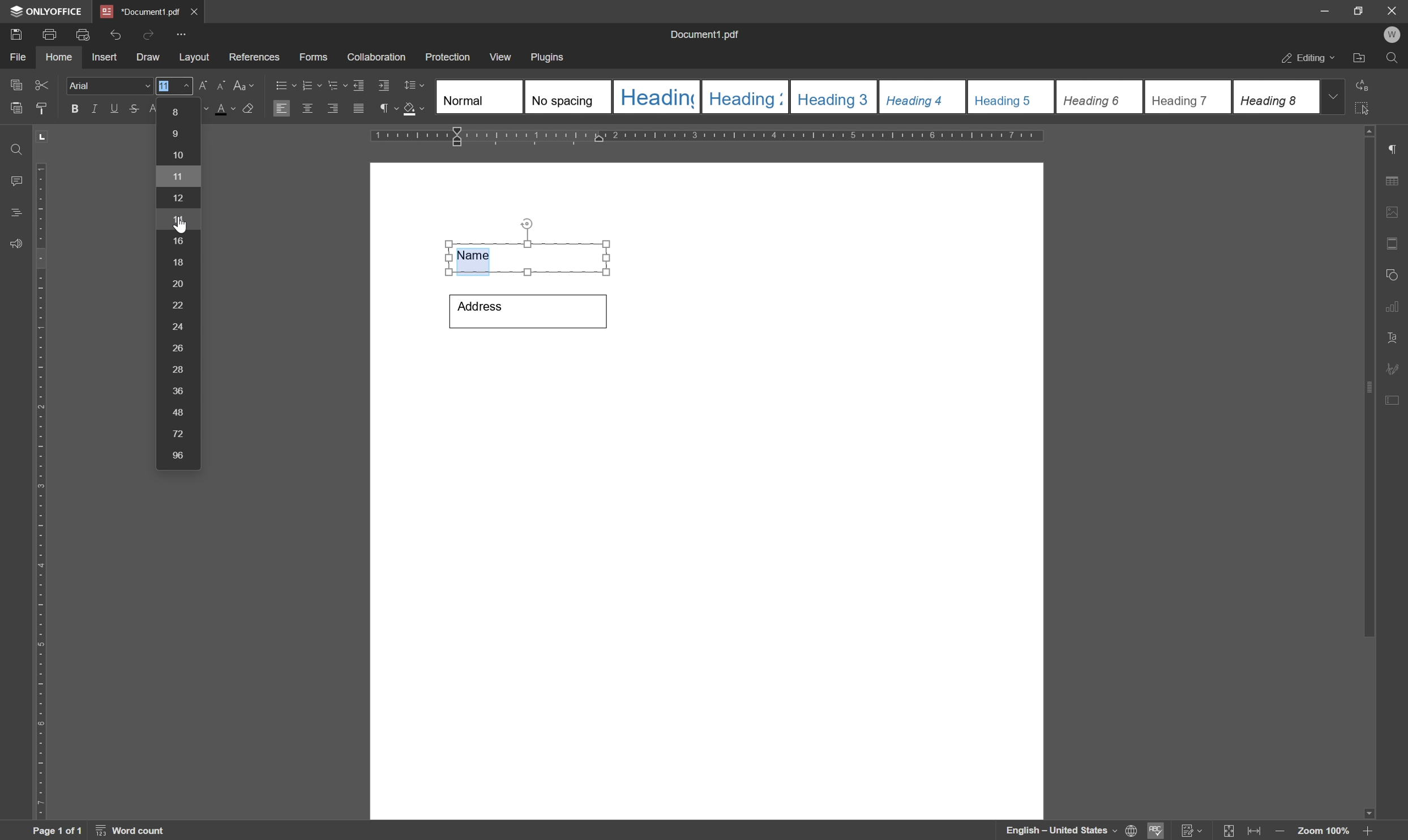  What do you see at coordinates (92, 108) in the screenshot?
I see `italic` at bounding box center [92, 108].